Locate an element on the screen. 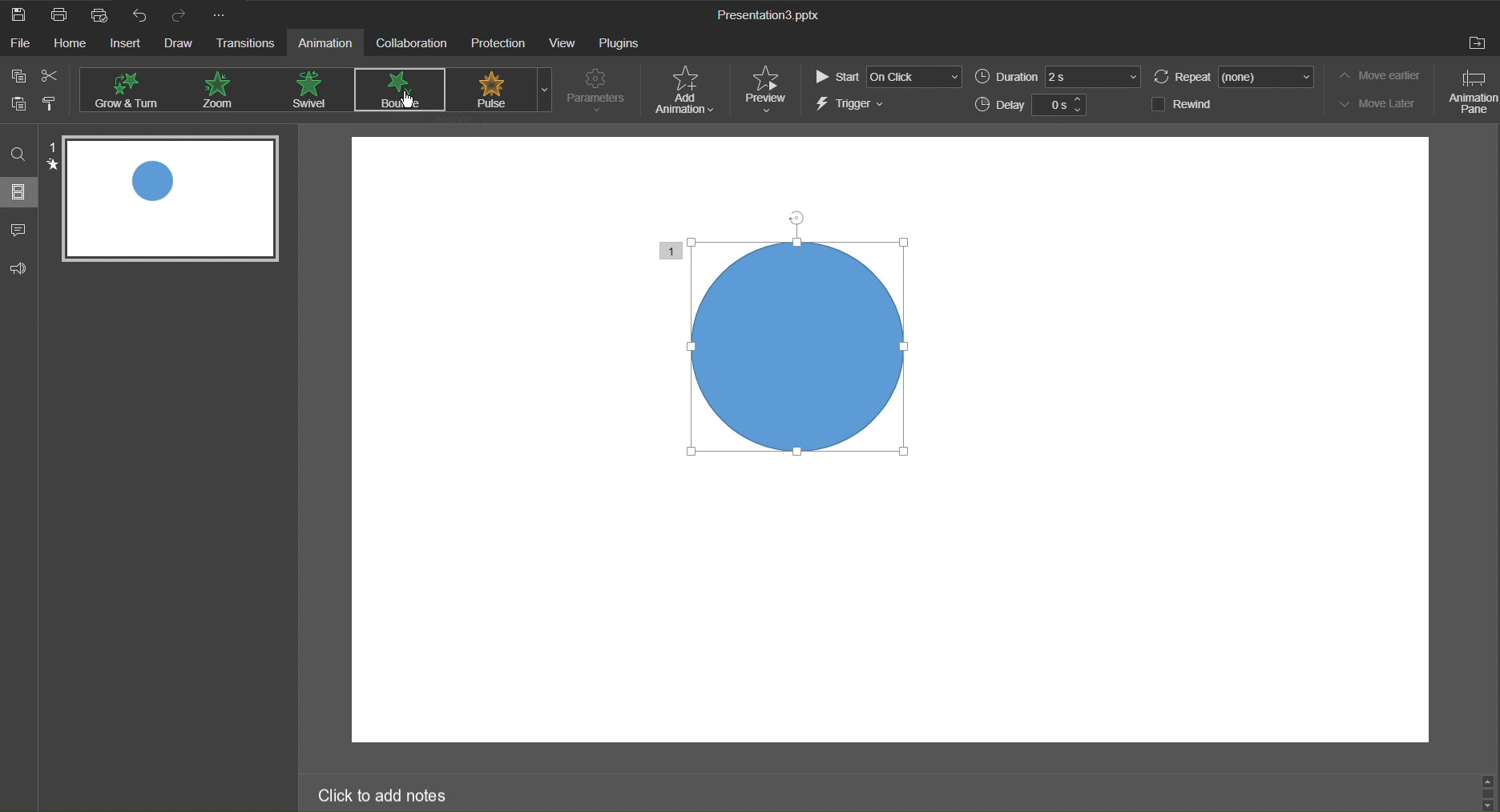 The height and width of the screenshot is (812, 1500). Cut is located at coordinates (54, 77).